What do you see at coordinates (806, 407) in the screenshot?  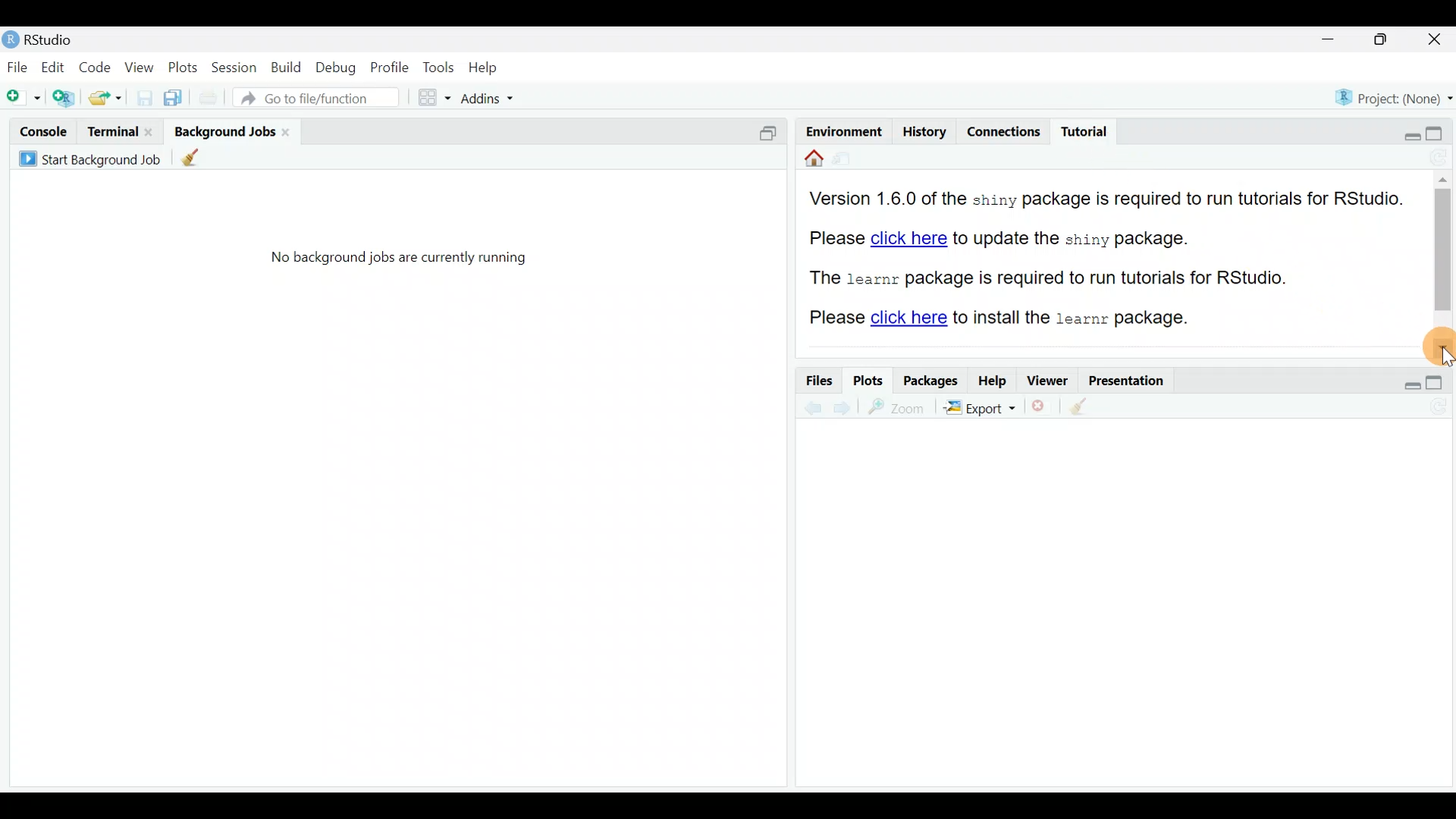 I see `Previous plot` at bounding box center [806, 407].